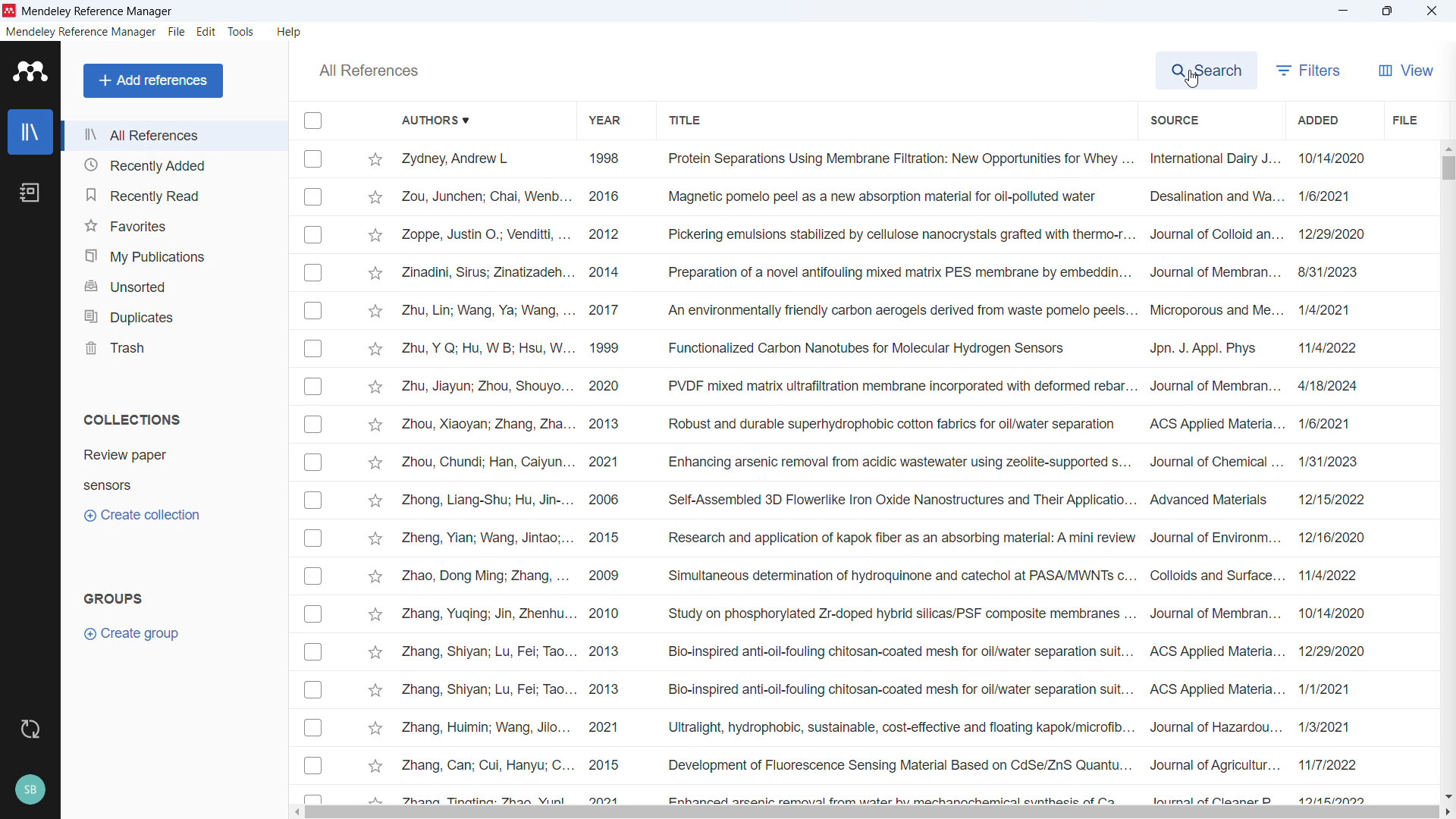 Image resolution: width=1456 pixels, height=819 pixels. What do you see at coordinates (30, 791) in the screenshot?
I see `Profile ` at bounding box center [30, 791].